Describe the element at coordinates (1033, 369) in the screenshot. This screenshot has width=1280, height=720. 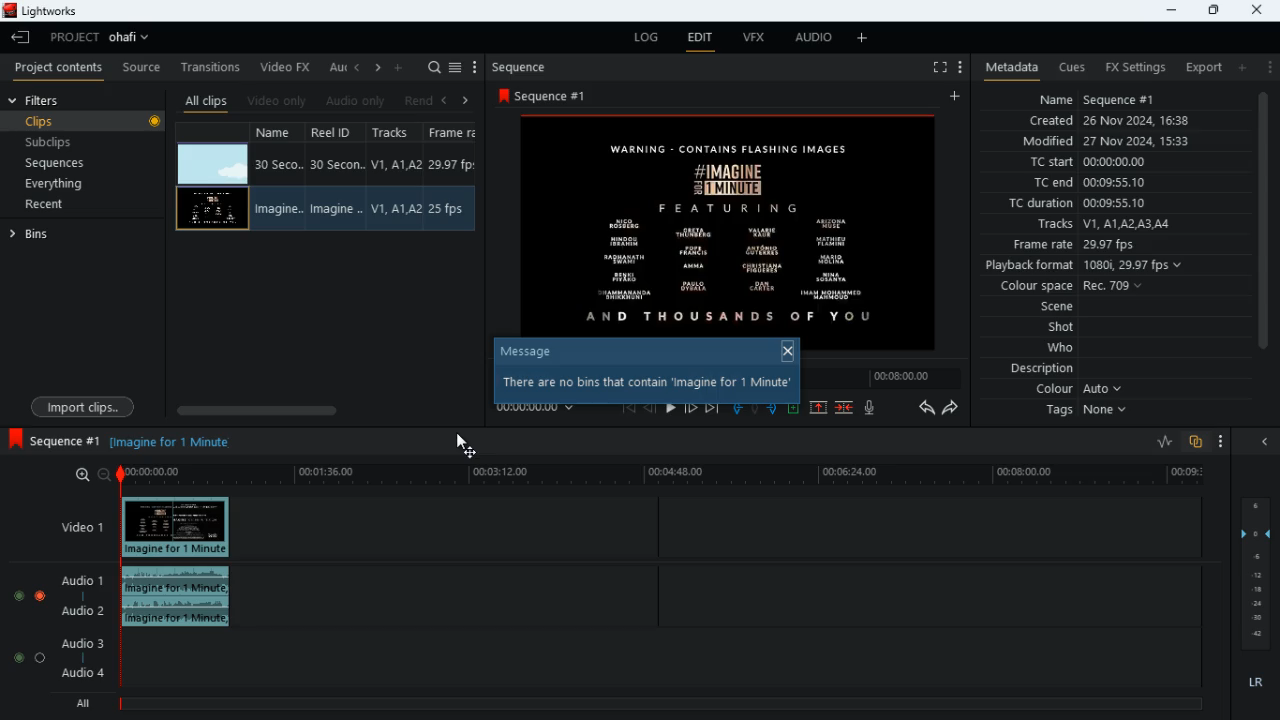
I see `description` at that location.